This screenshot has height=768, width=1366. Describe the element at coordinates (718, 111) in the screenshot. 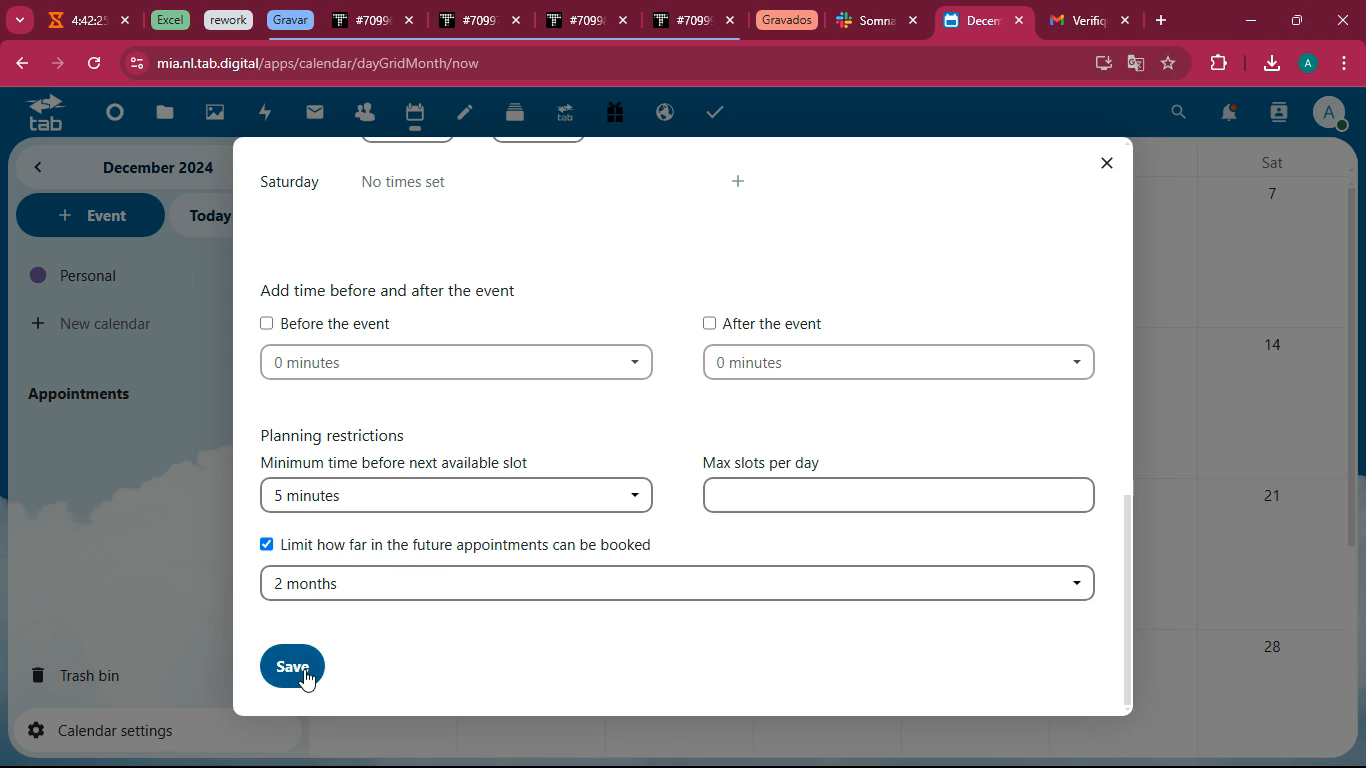

I see `taks` at that location.